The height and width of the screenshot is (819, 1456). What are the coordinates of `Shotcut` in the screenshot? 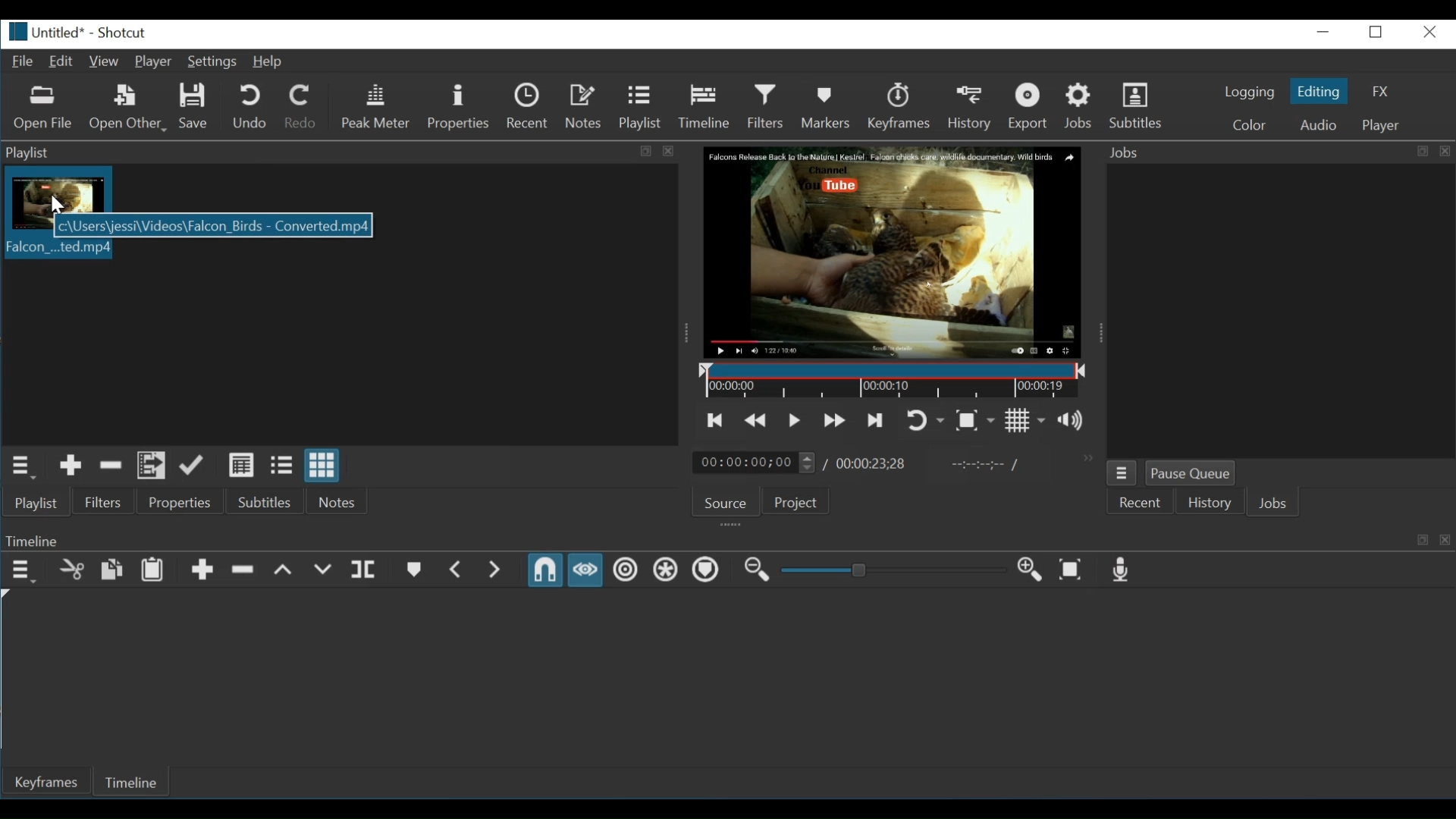 It's located at (121, 33).